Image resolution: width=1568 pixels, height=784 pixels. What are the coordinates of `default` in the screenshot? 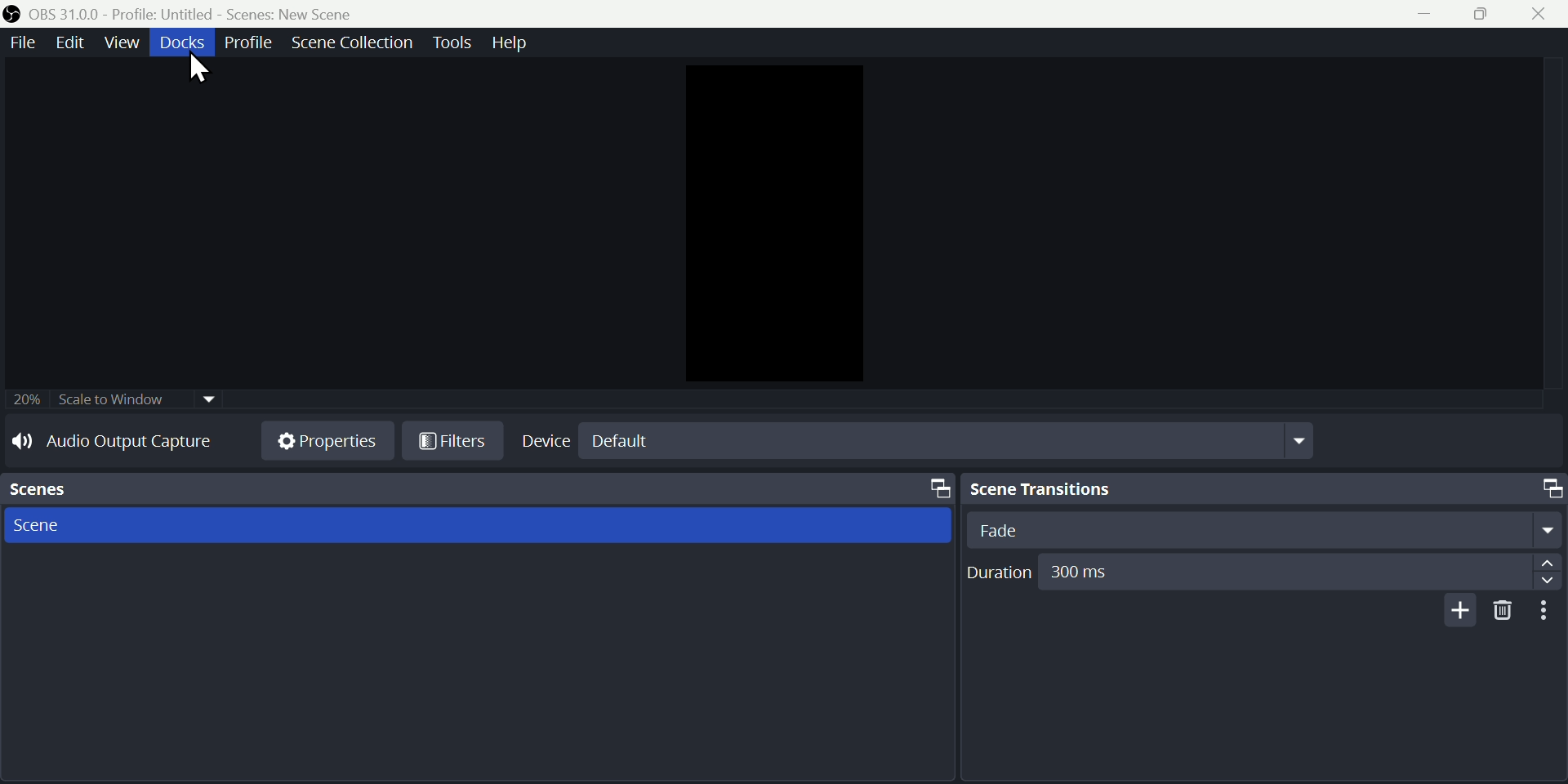 It's located at (951, 438).